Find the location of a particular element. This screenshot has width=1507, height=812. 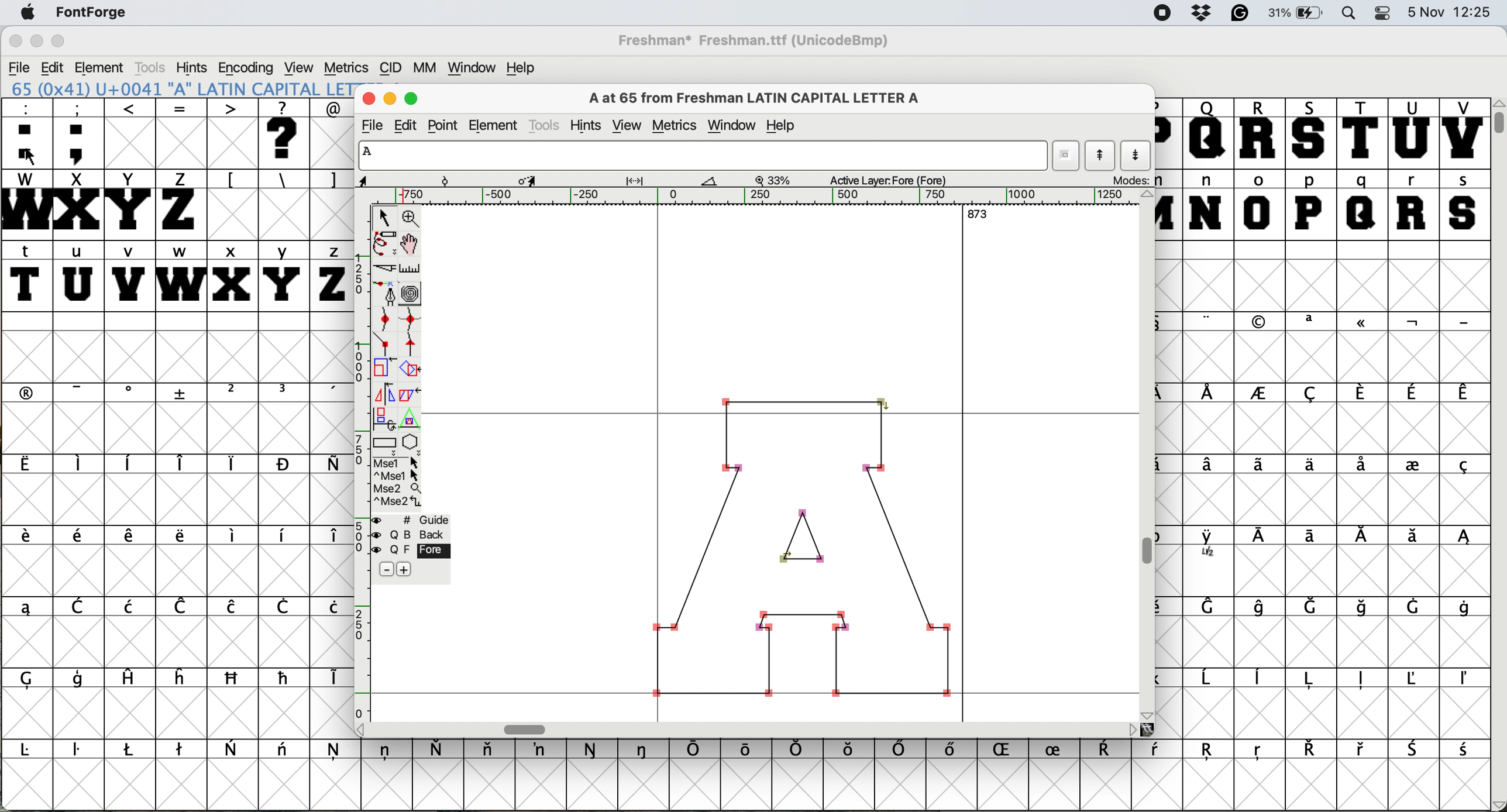

element is located at coordinates (102, 67).